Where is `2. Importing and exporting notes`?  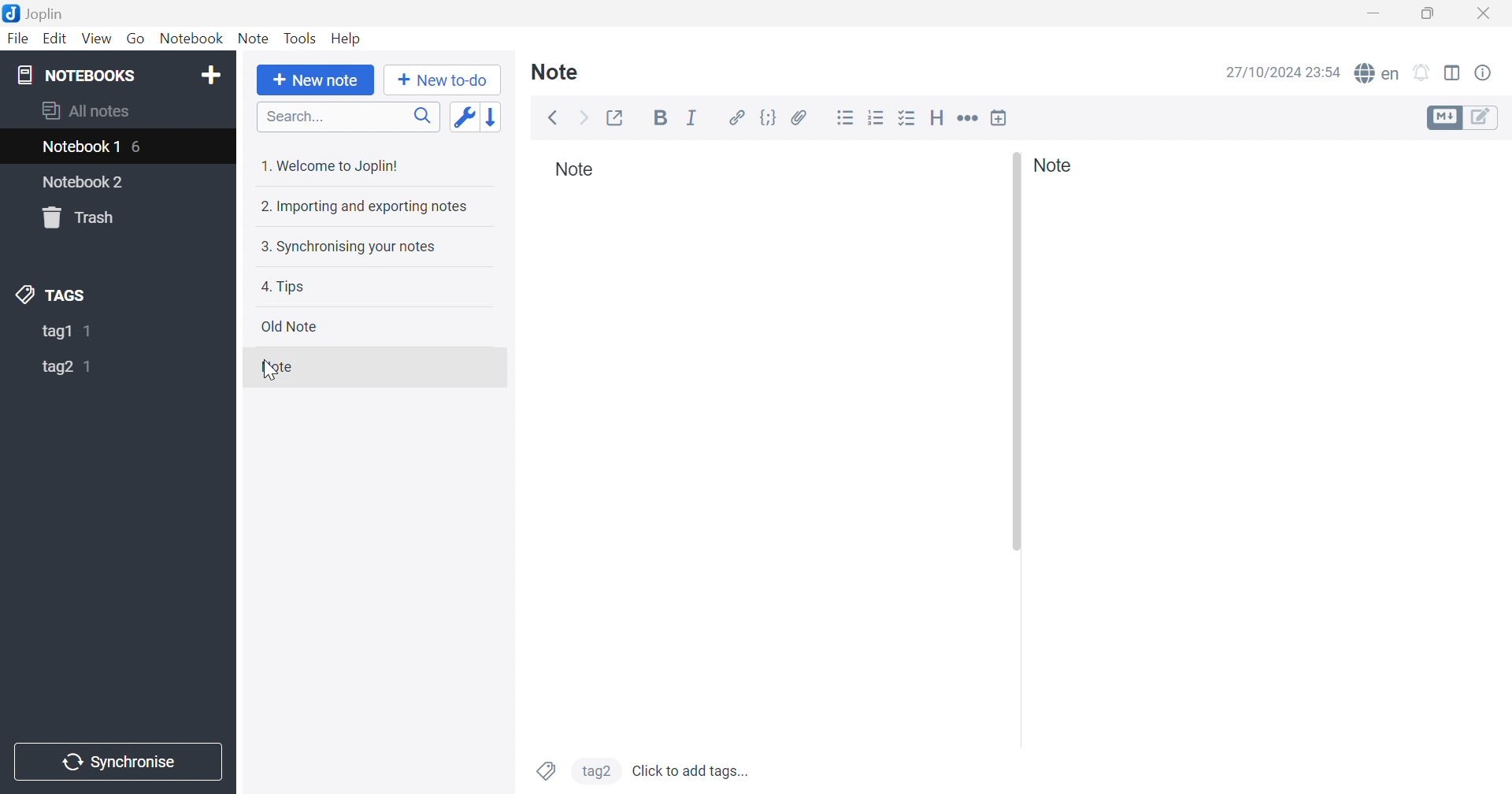 2. Importing and exporting notes is located at coordinates (363, 206).